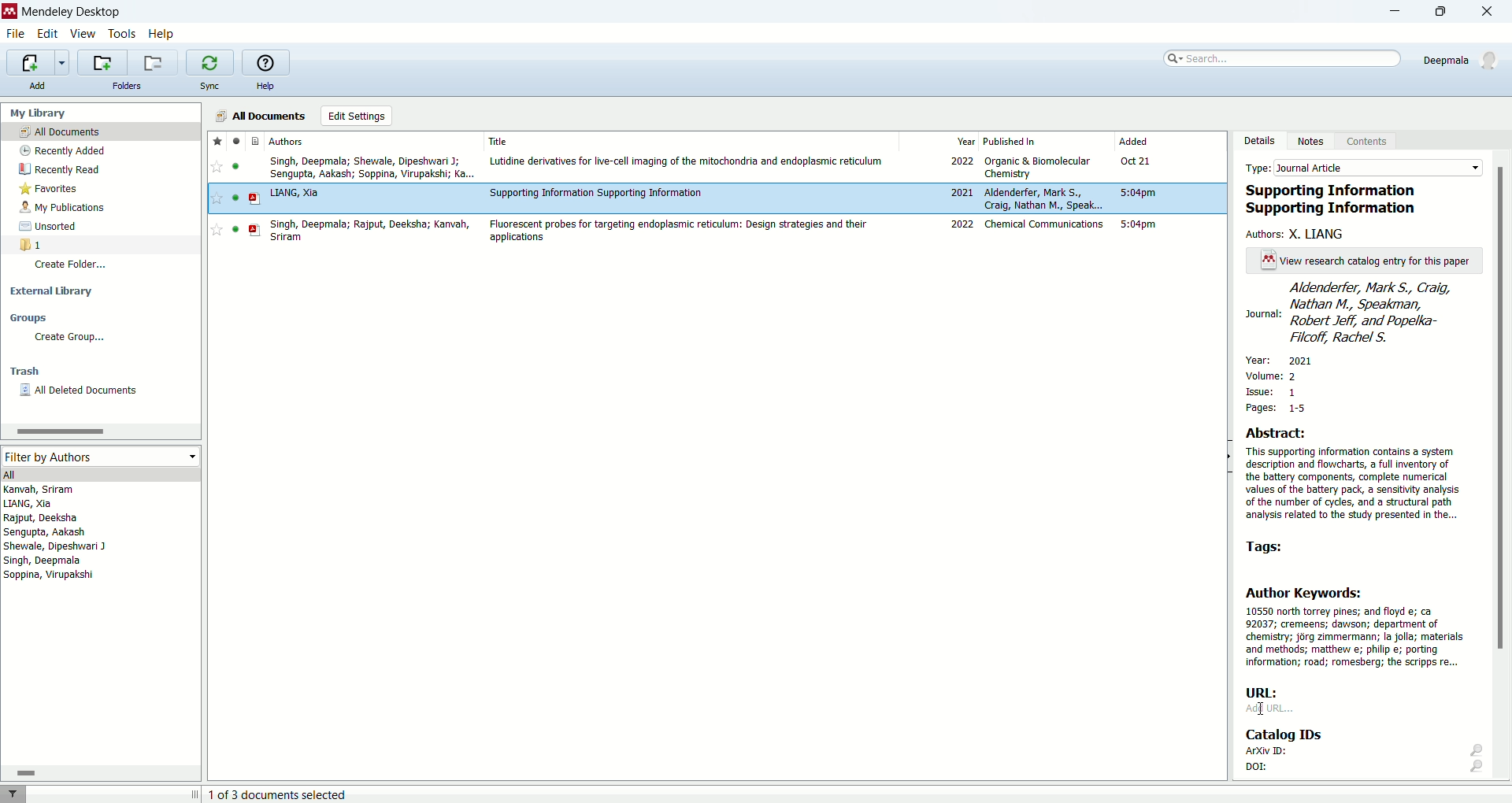 This screenshot has height=803, width=1512. Describe the element at coordinates (1044, 224) in the screenshot. I see `Chemical Communications` at that location.